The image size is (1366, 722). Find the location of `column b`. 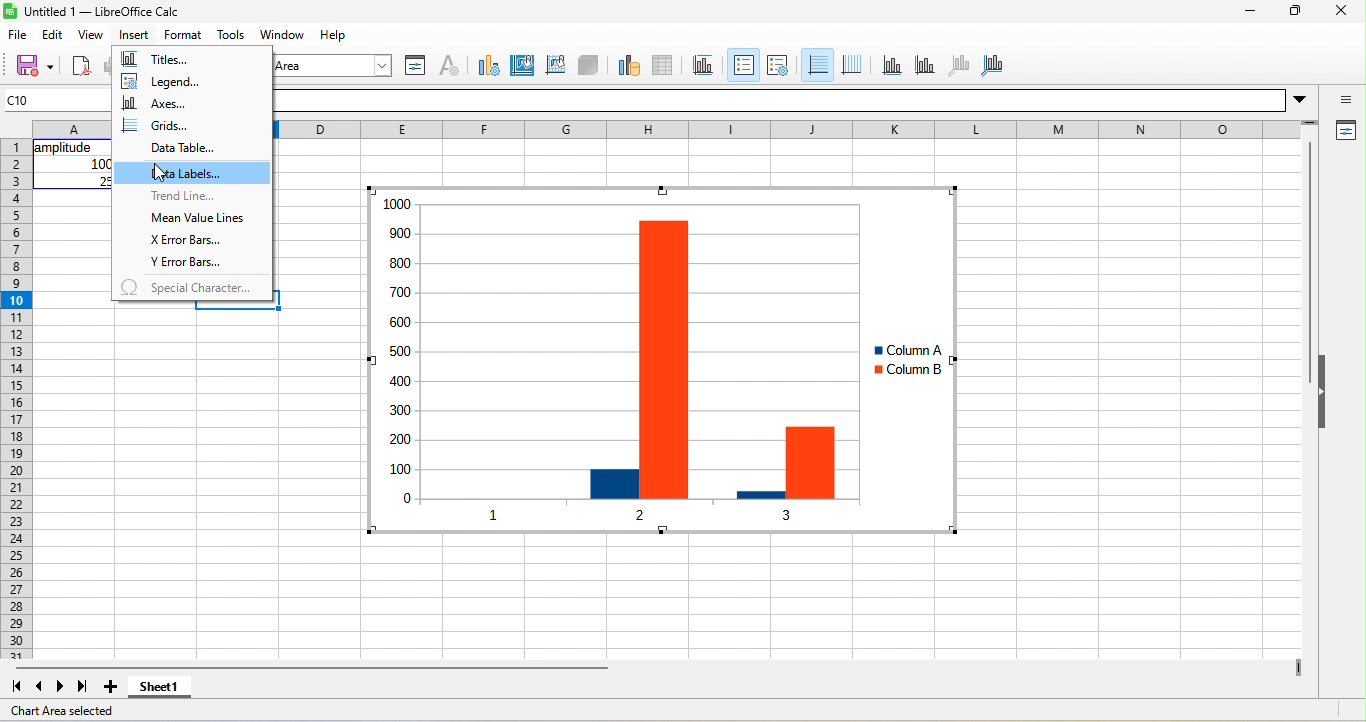

column b is located at coordinates (907, 372).